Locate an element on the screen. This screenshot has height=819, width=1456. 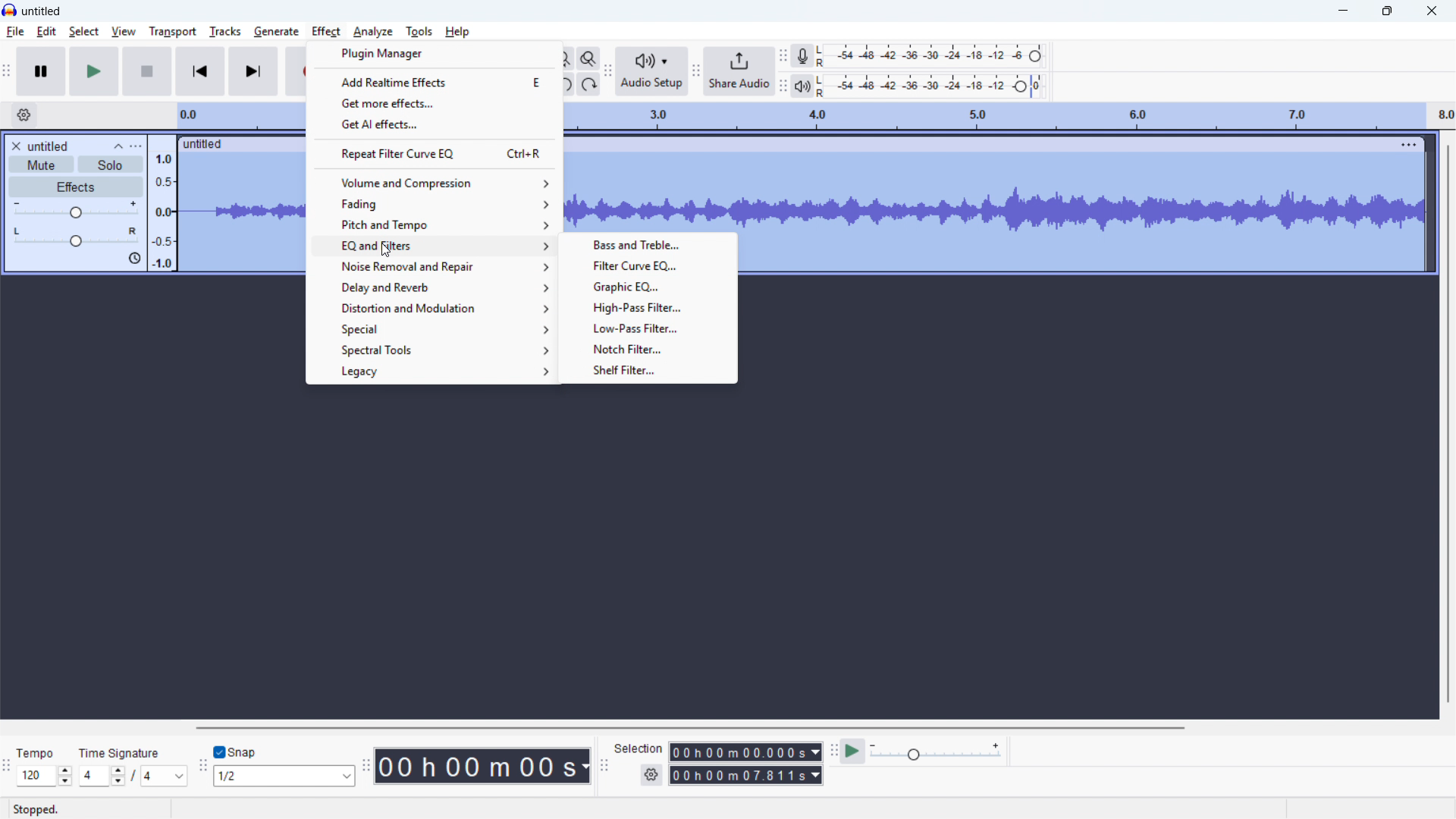
Get AI effects  is located at coordinates (435, 123).